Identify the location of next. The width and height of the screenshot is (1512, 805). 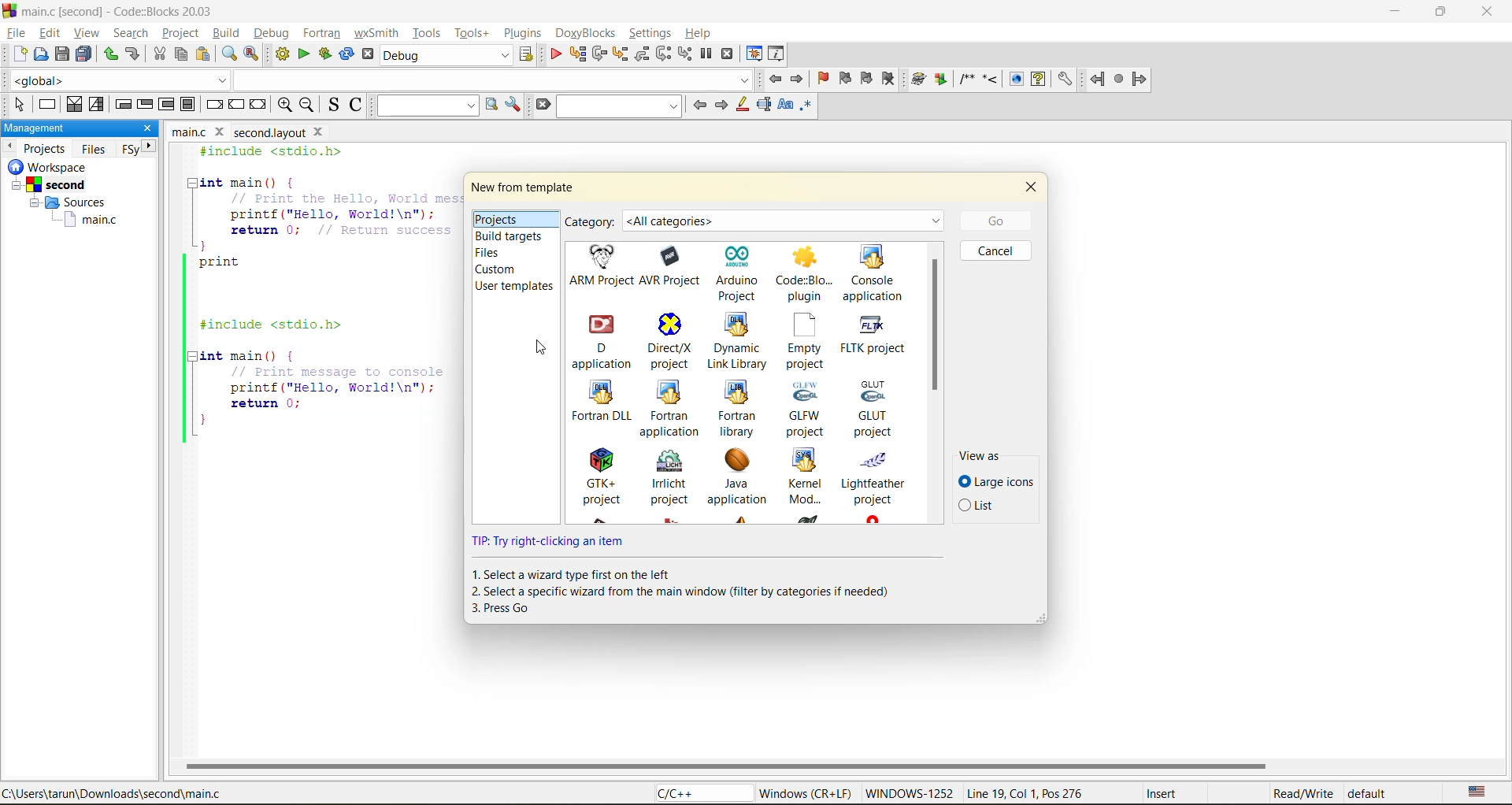
(723, 106).